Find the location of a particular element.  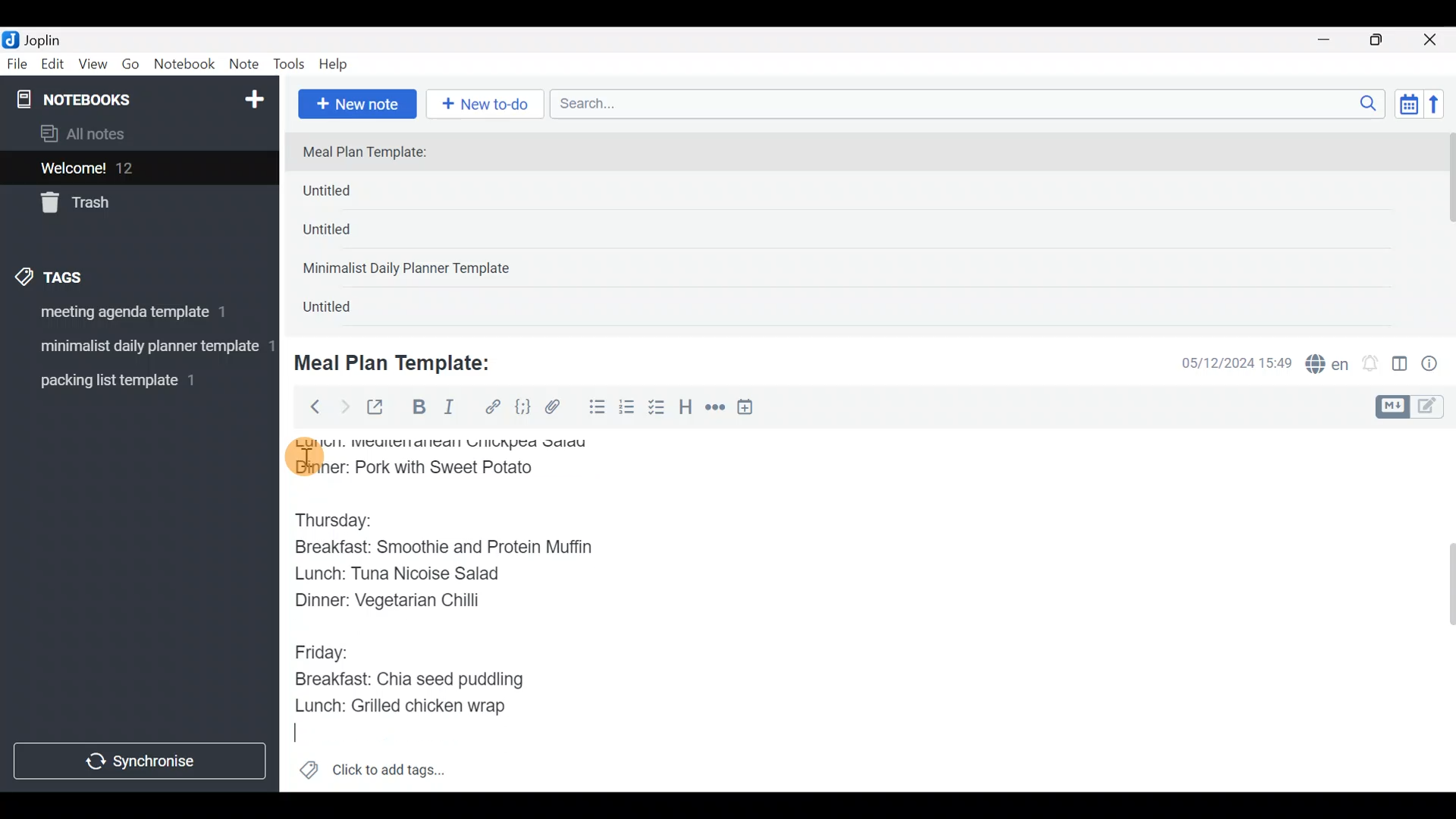

Bulleted list is located at coordinates (594, 408).